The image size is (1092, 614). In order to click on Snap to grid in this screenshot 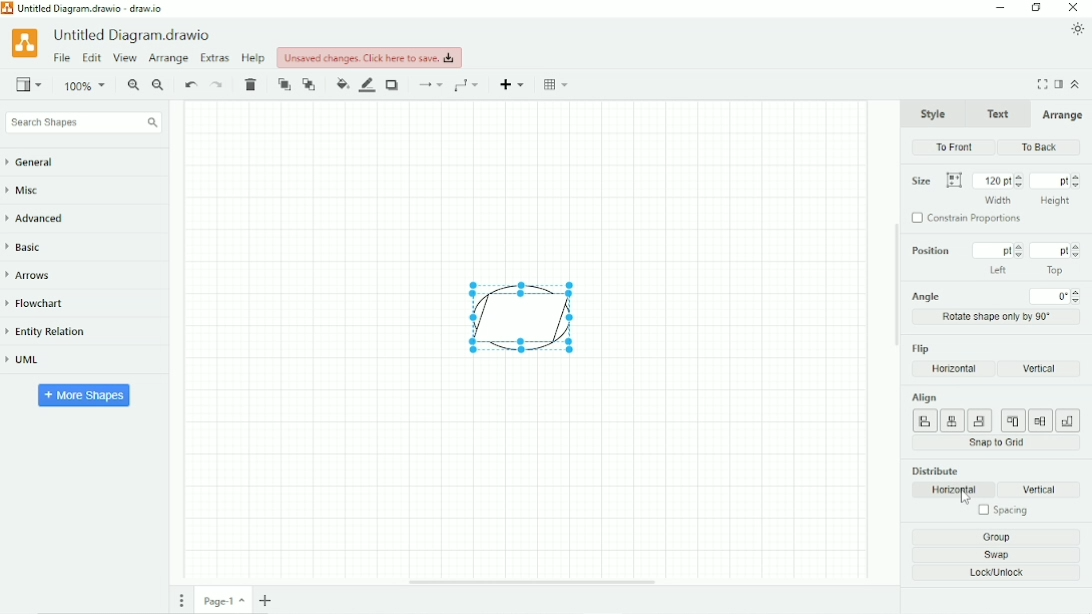, I will do `click(997, 443)`.